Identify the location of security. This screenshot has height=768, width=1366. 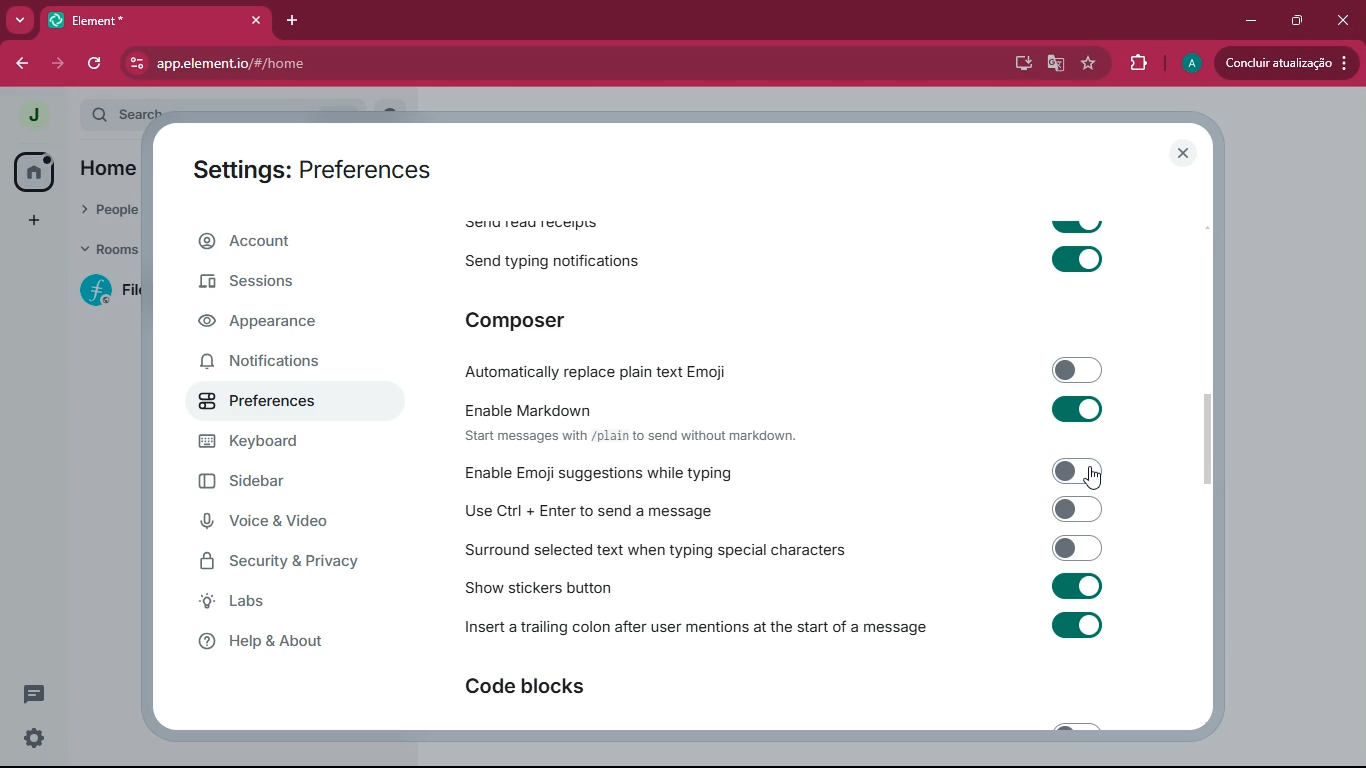
(297, 563).